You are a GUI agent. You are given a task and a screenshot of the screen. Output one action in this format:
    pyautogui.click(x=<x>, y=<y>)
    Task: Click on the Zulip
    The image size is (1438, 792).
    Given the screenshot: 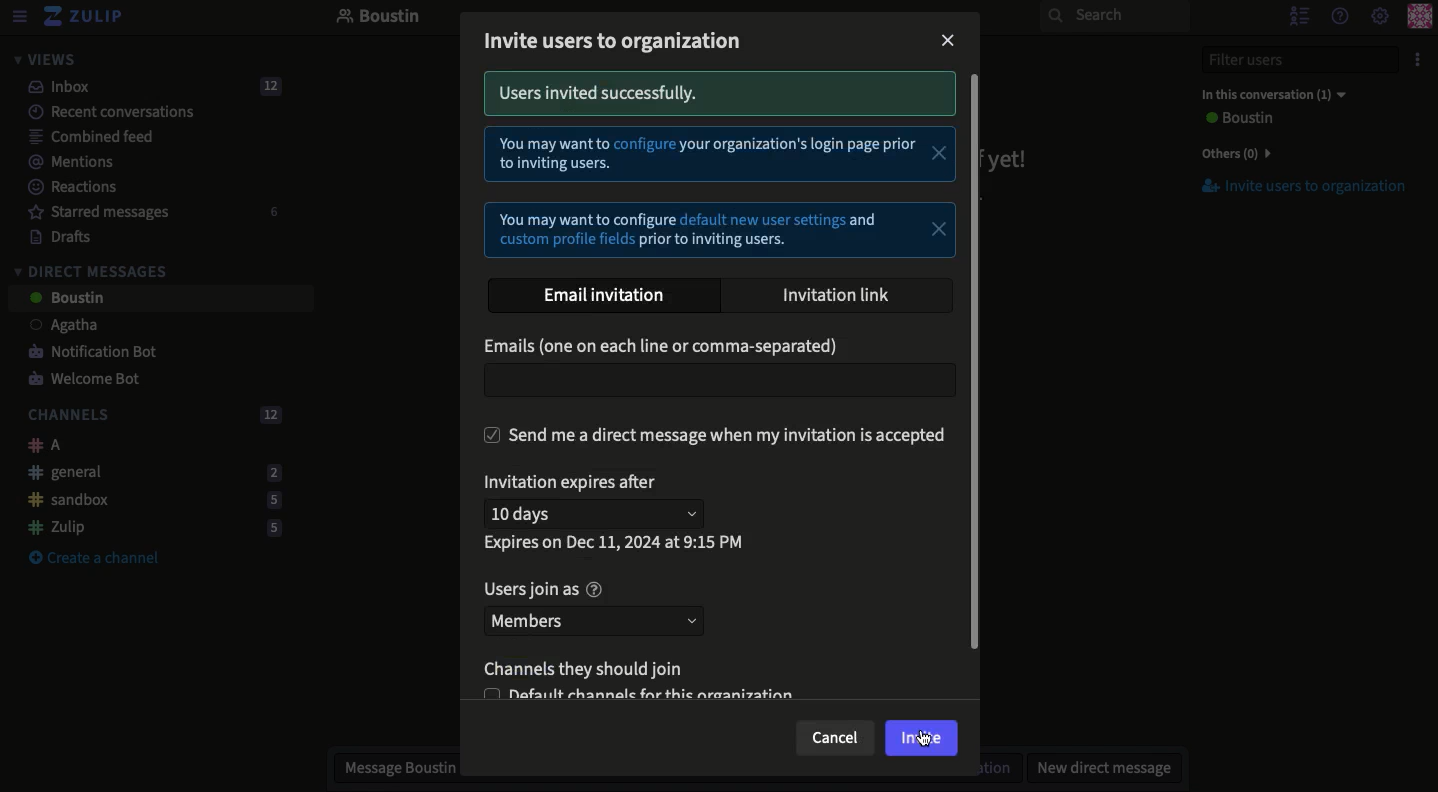 What is the action you would take?
    pyautogui.click(x=85, y=17)
    